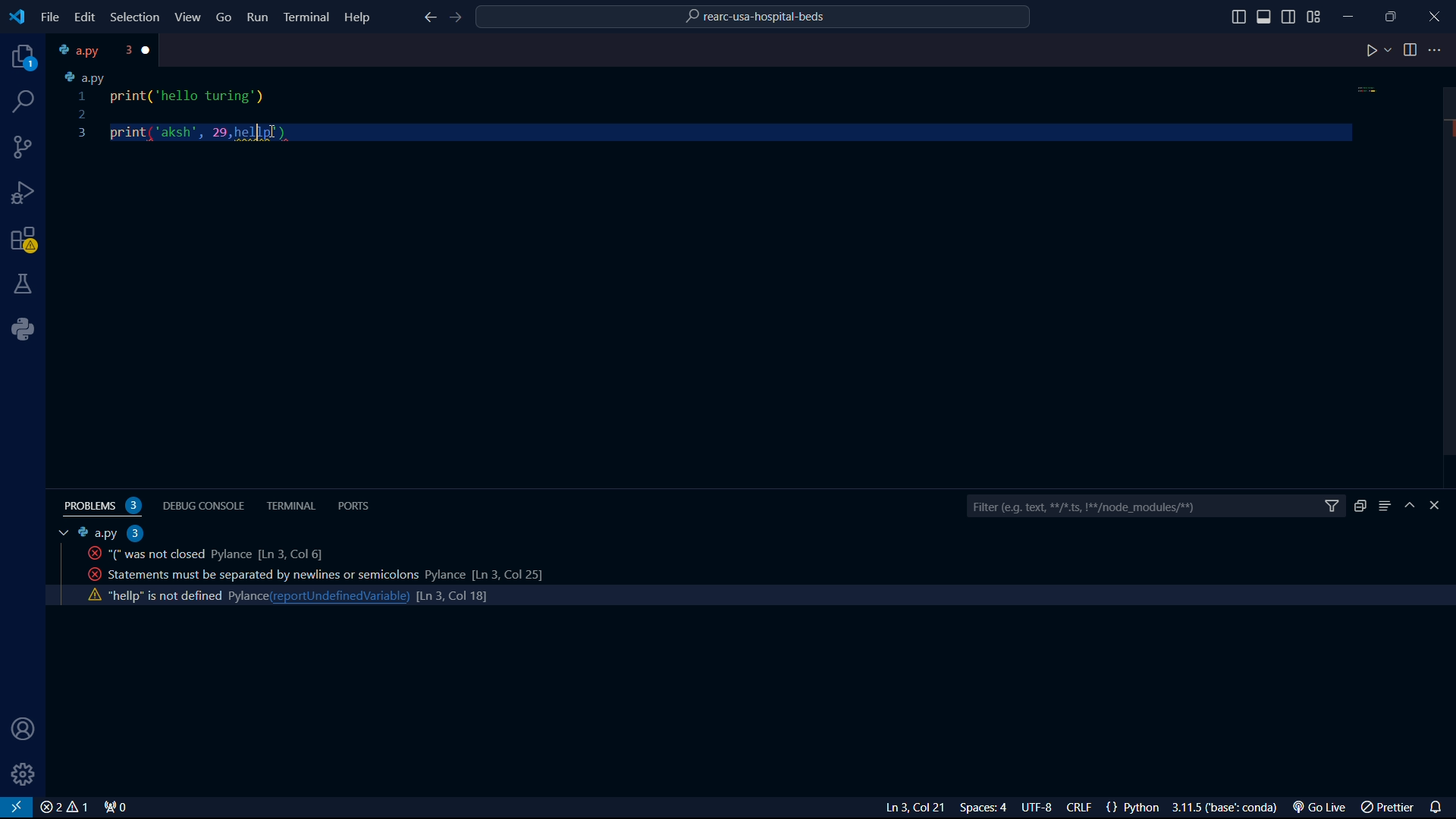 Image resolution: width=1456 pixels, height=819 pixels. I want to click on Spaces: 4, so click(987, 808).